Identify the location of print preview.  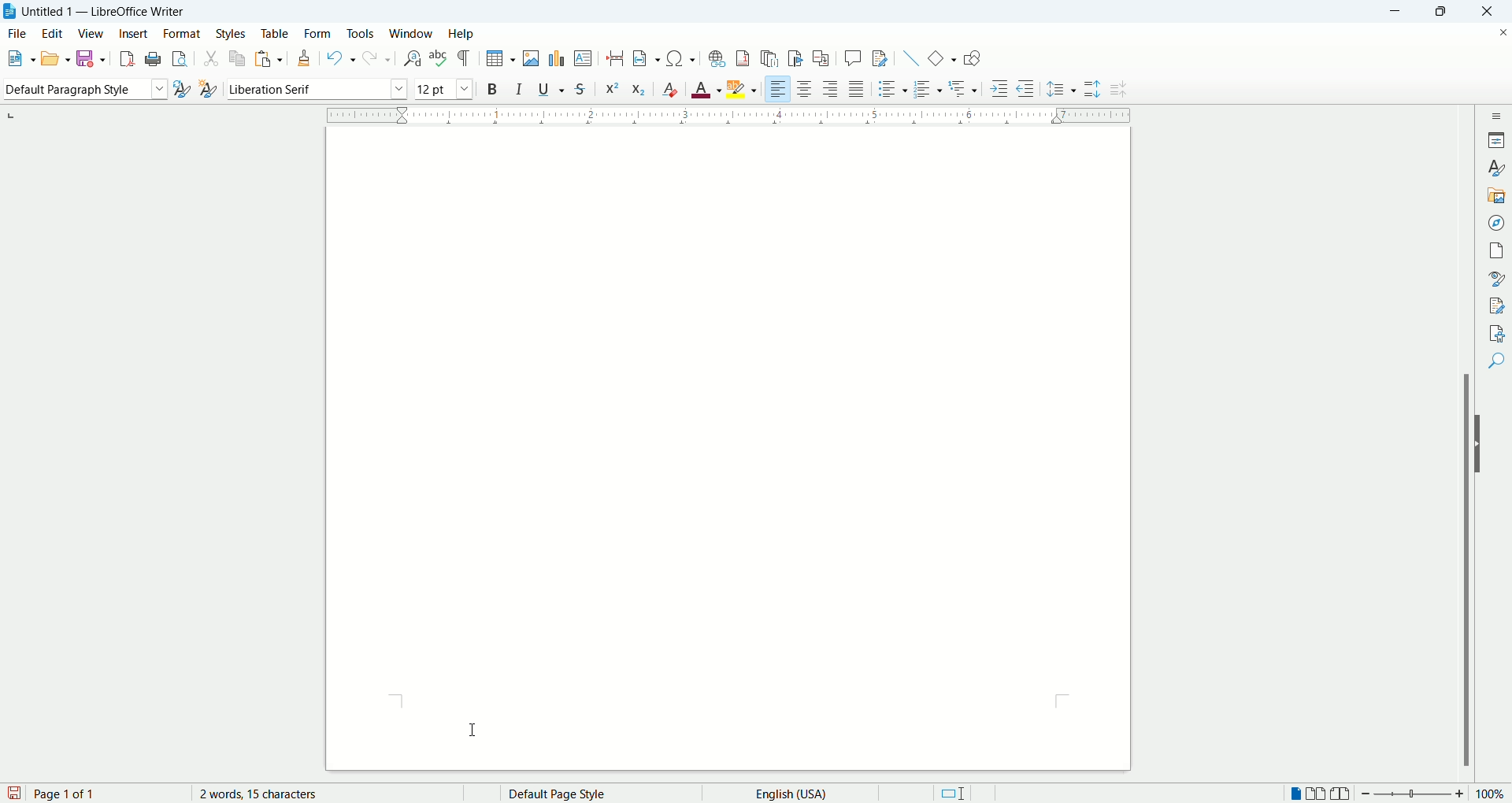
(180, 60).